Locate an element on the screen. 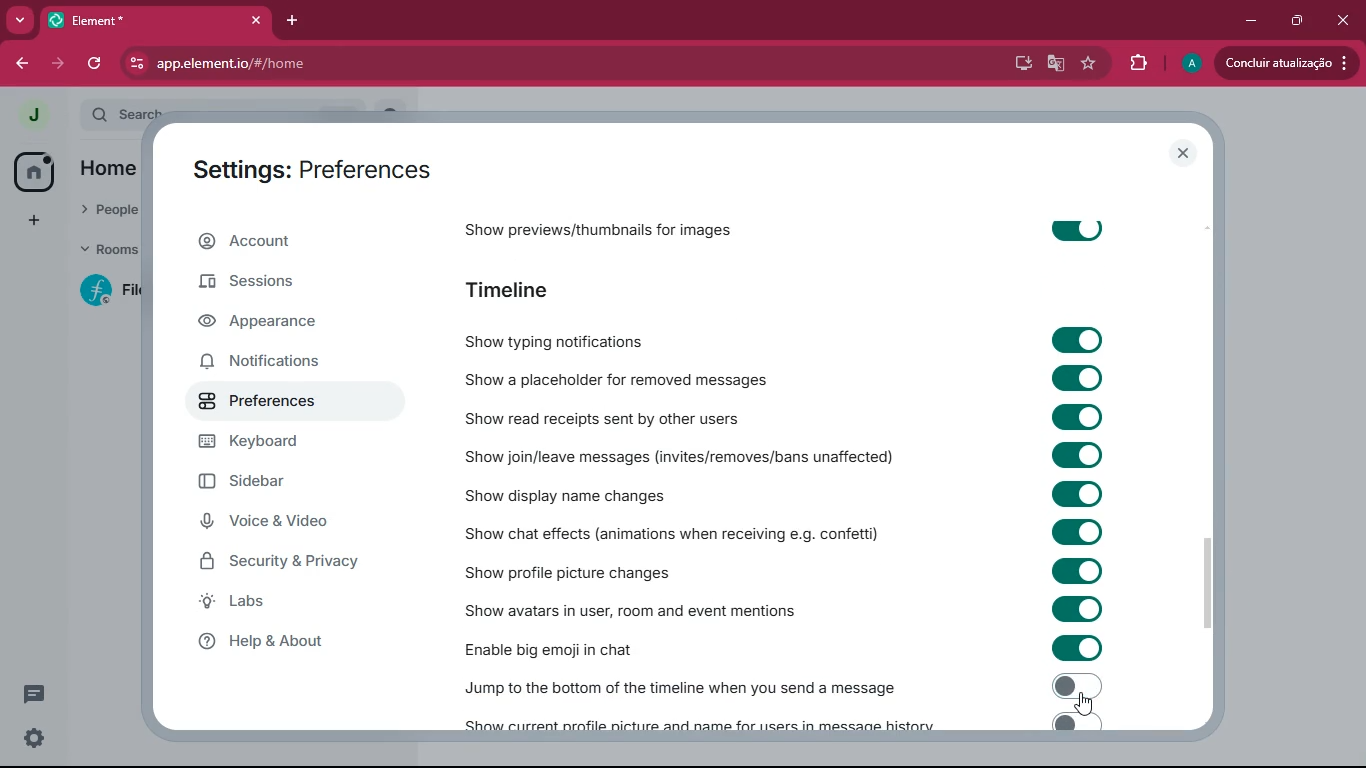 The image size is (1366, 768). close is located at coordinates (1343, 20).